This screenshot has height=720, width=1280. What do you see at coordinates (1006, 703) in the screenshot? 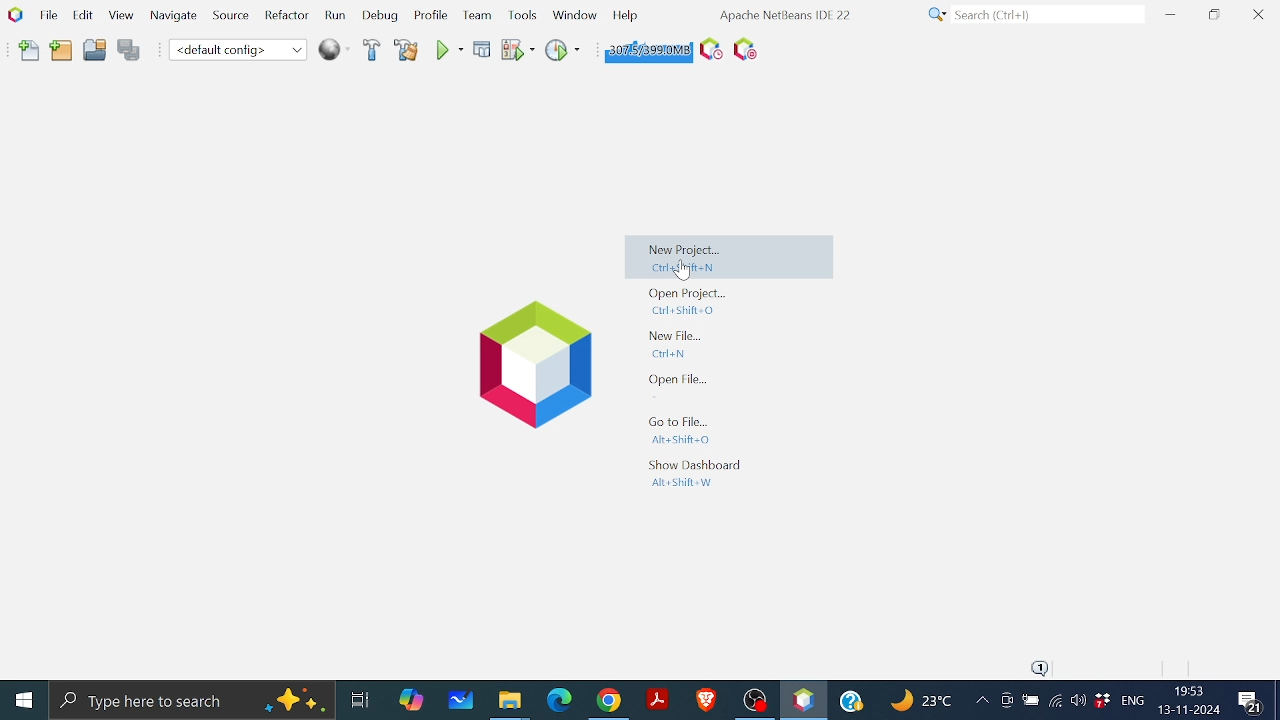
I see `Meet now` at bounding box center [1006, 703].